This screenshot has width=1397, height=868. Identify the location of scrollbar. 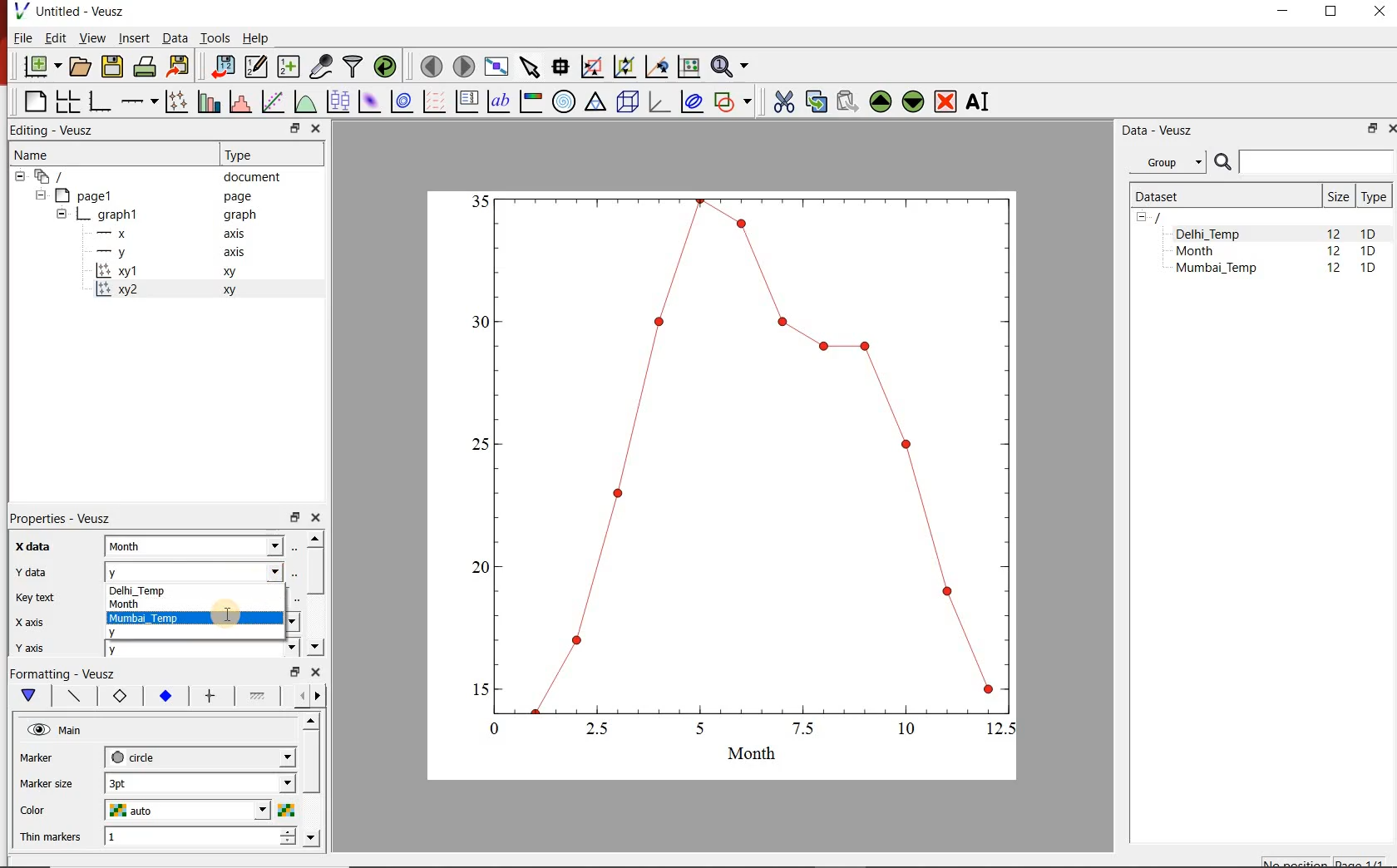
(313, 782).